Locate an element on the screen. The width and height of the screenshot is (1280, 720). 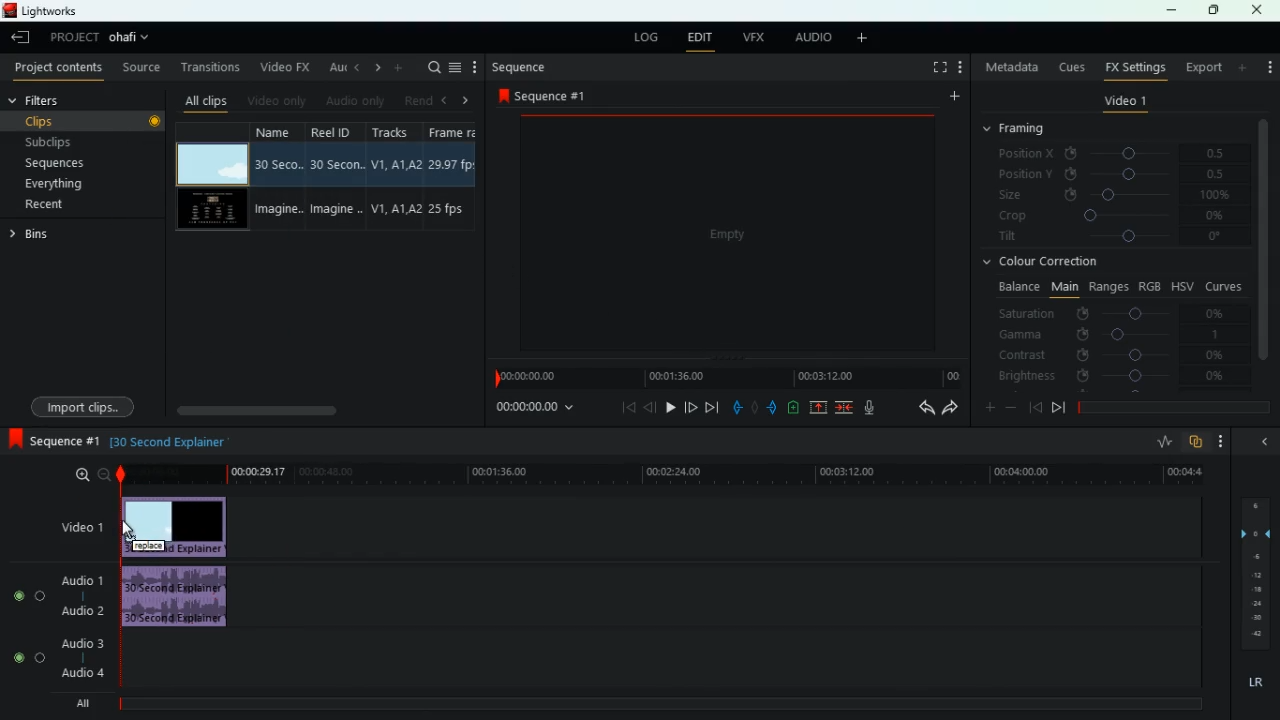
time frame is located at coordinates (1174, 408).